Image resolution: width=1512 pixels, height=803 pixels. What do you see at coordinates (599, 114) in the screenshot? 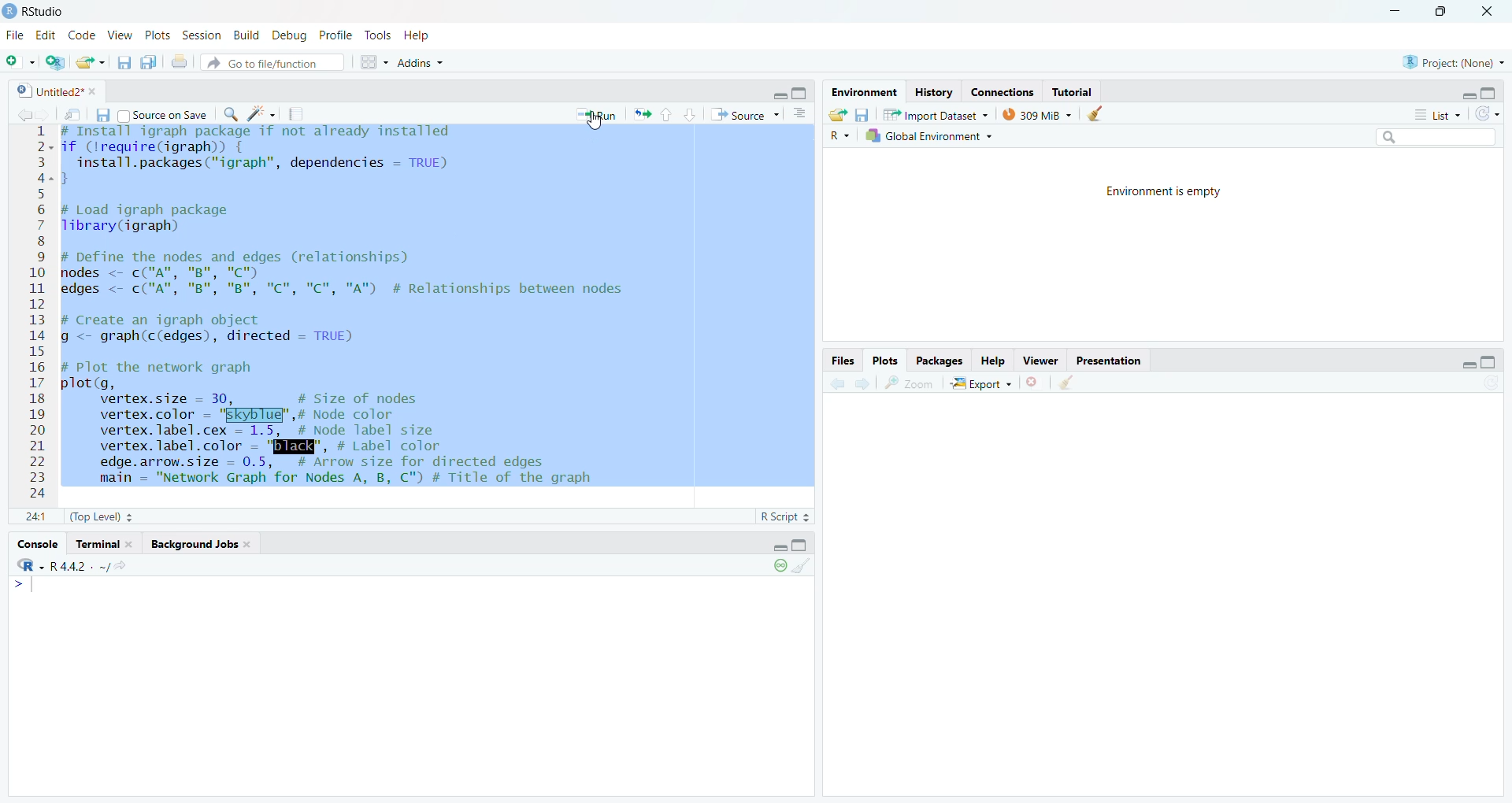
I see `Run` at bounding box center [599, 114].